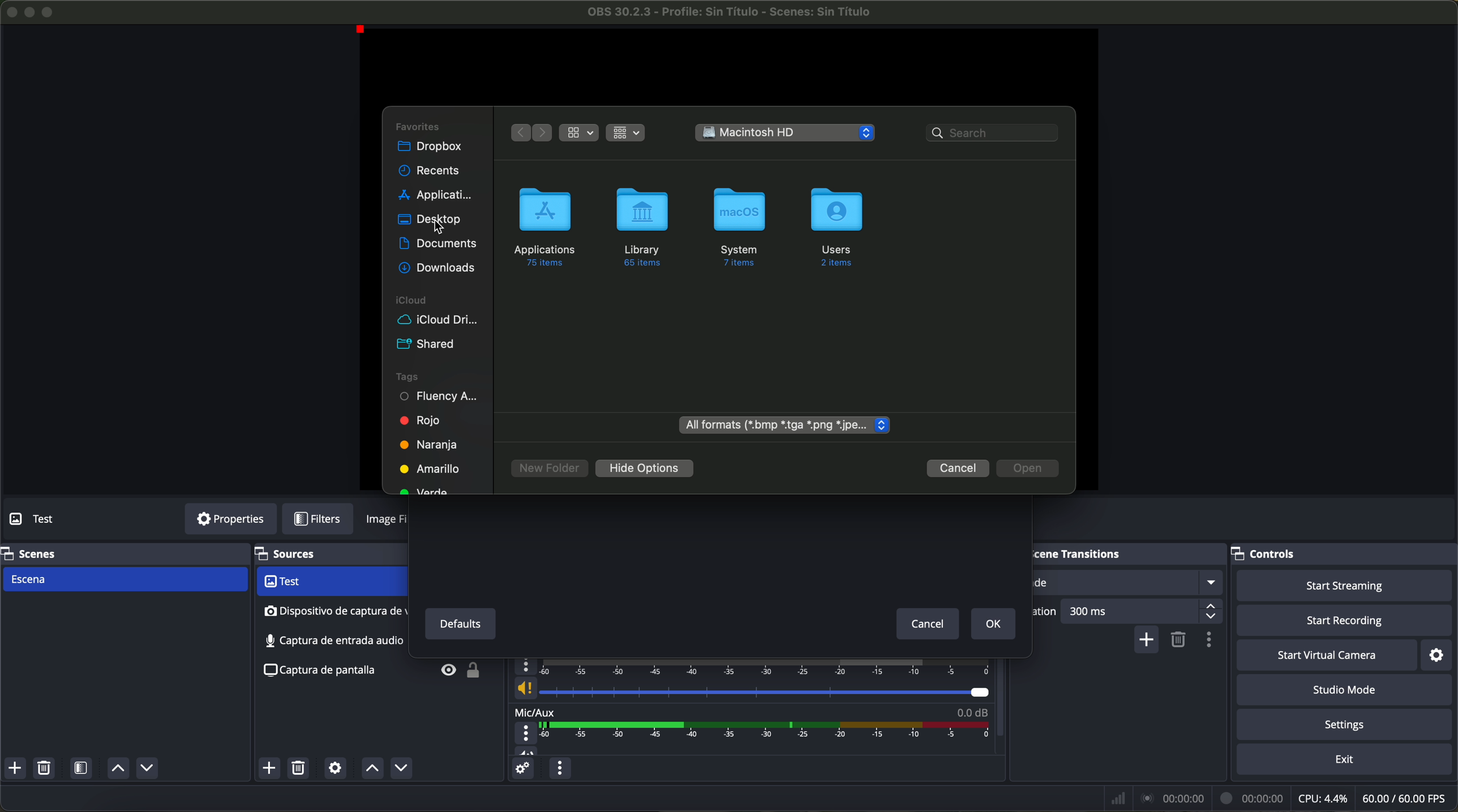  I want to click on mic/aux, so click(535, 711).